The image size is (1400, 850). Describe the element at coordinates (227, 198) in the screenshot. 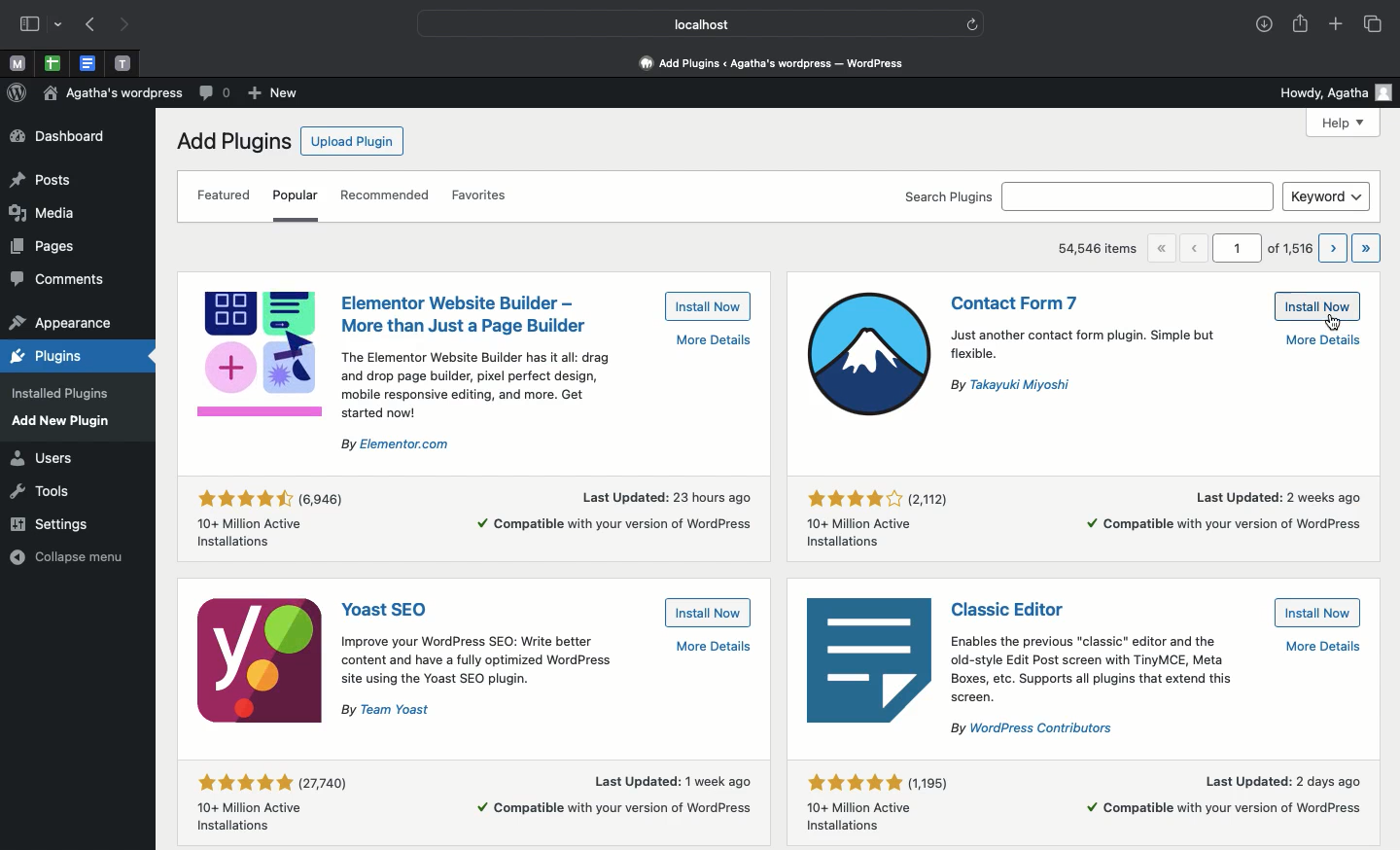

I see `Featured` at that location.